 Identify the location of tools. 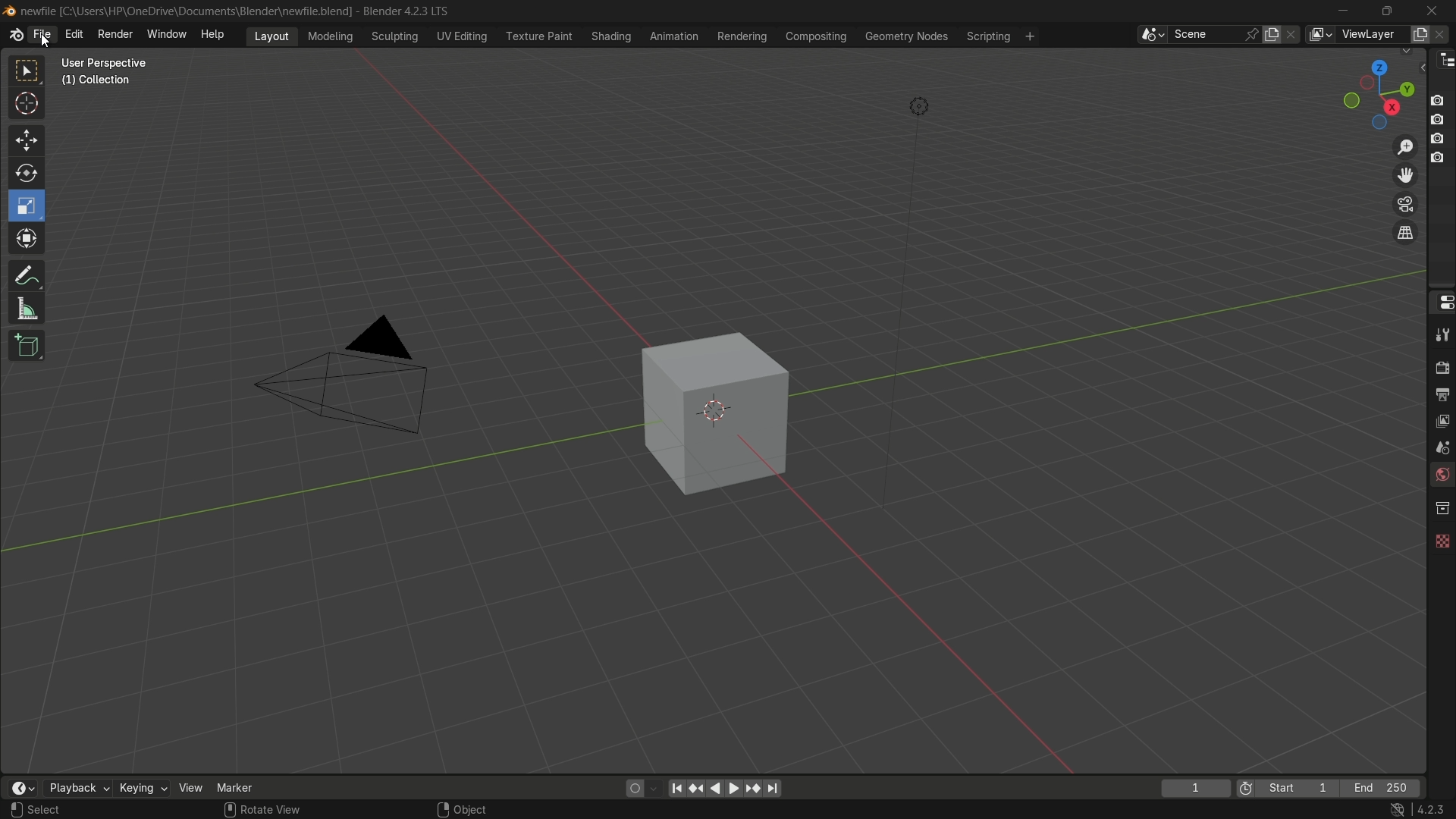
(1441, 334).